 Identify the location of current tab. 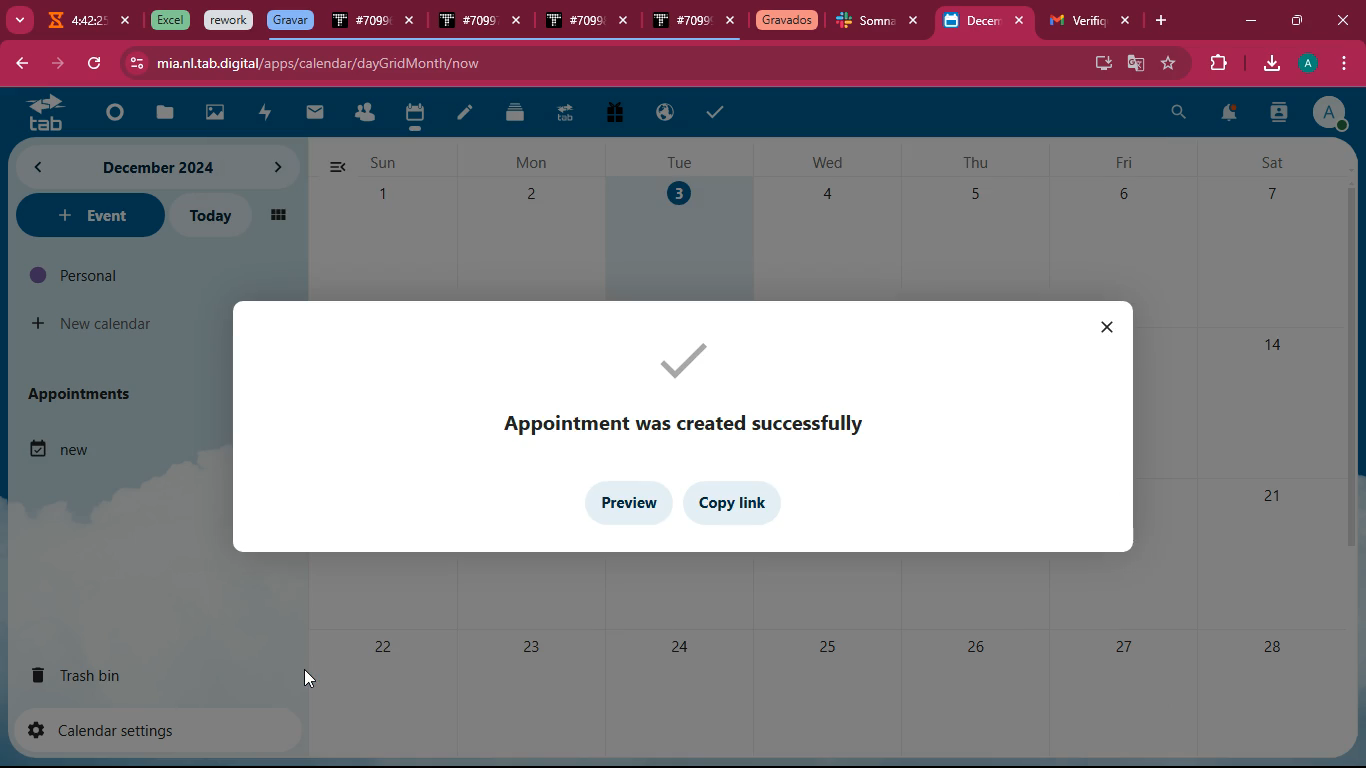
(972, 26).